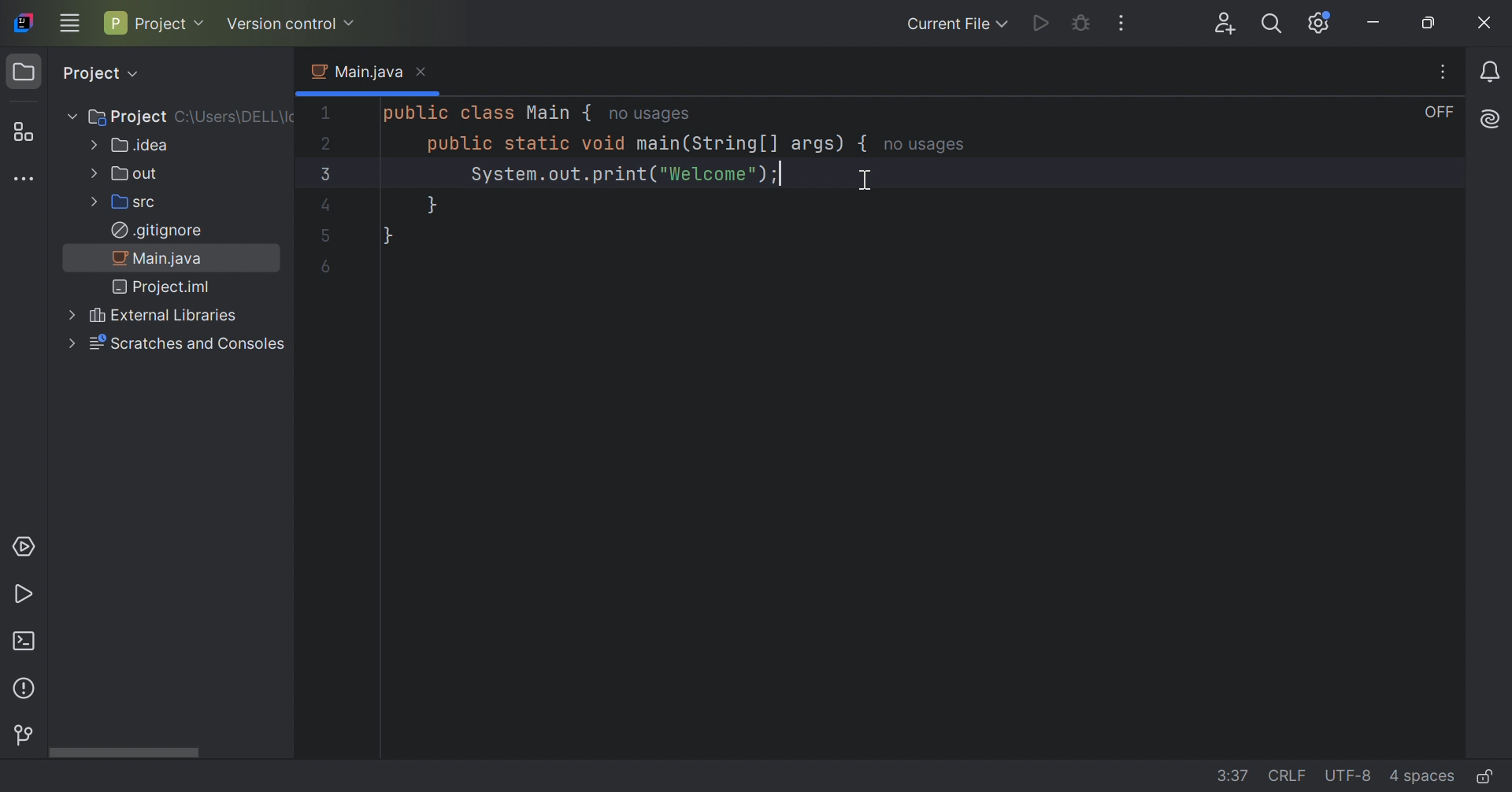 Image resolution: width=1512 pixels, height=792 pixels. I want to click on Code With Me, so click(1228, 25).